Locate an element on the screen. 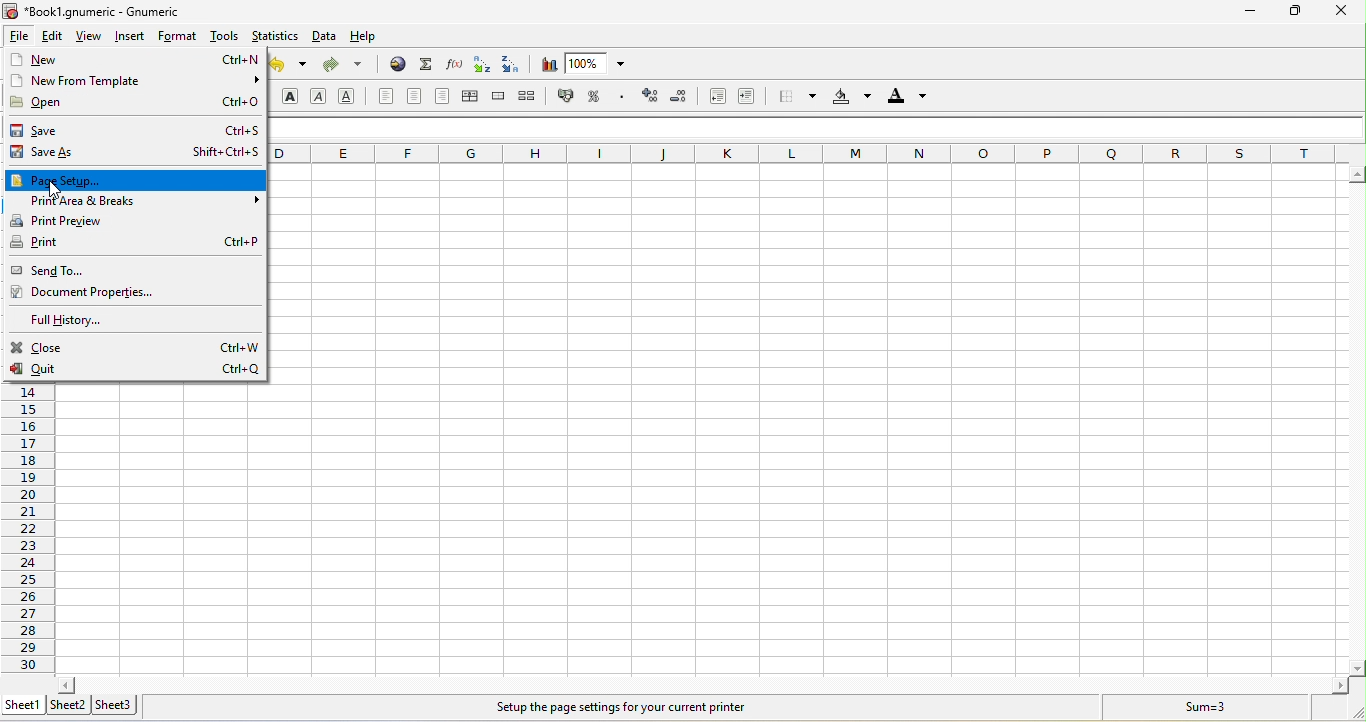  save is located at coordinates (137, 132).